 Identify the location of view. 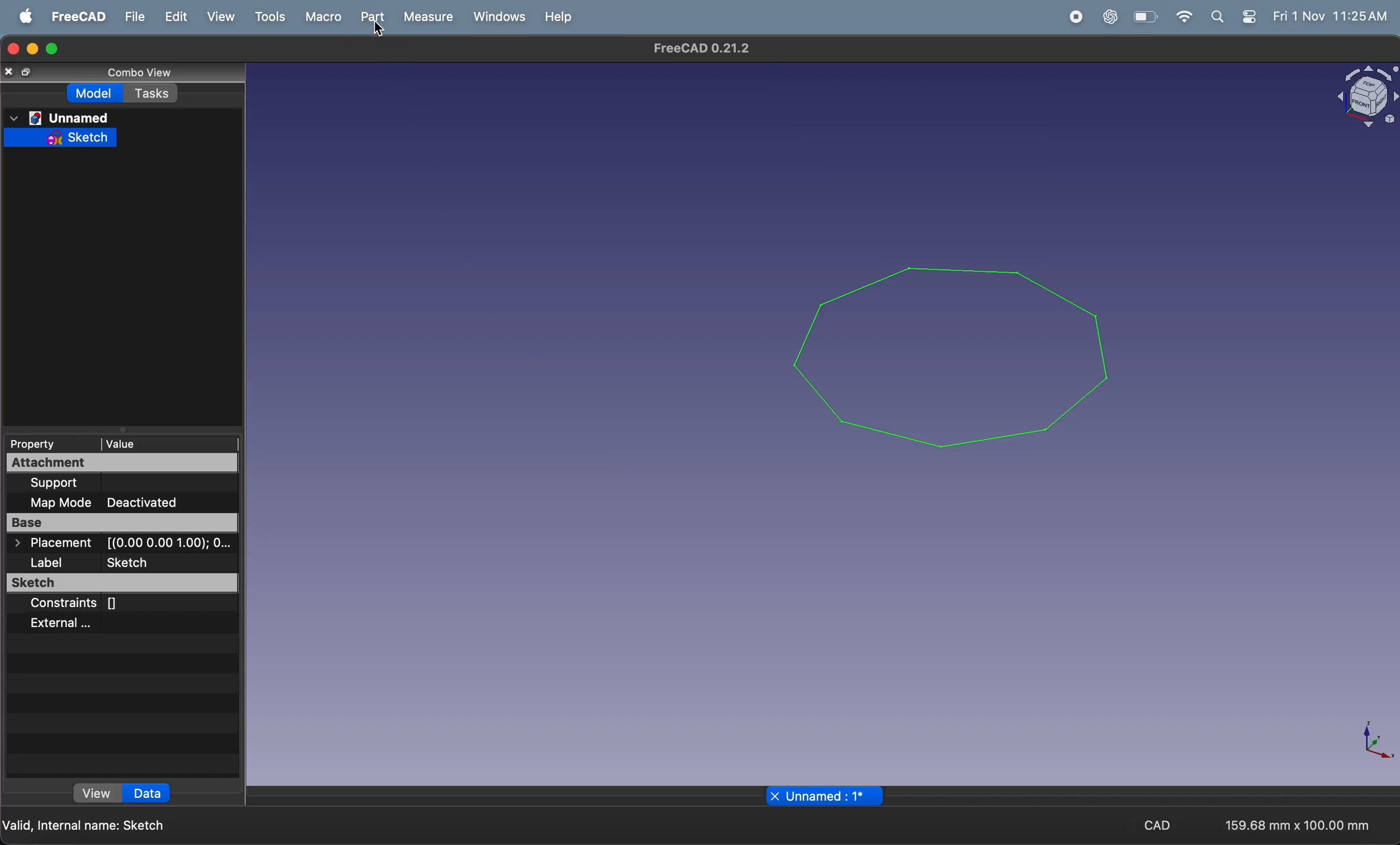
(99, 794).